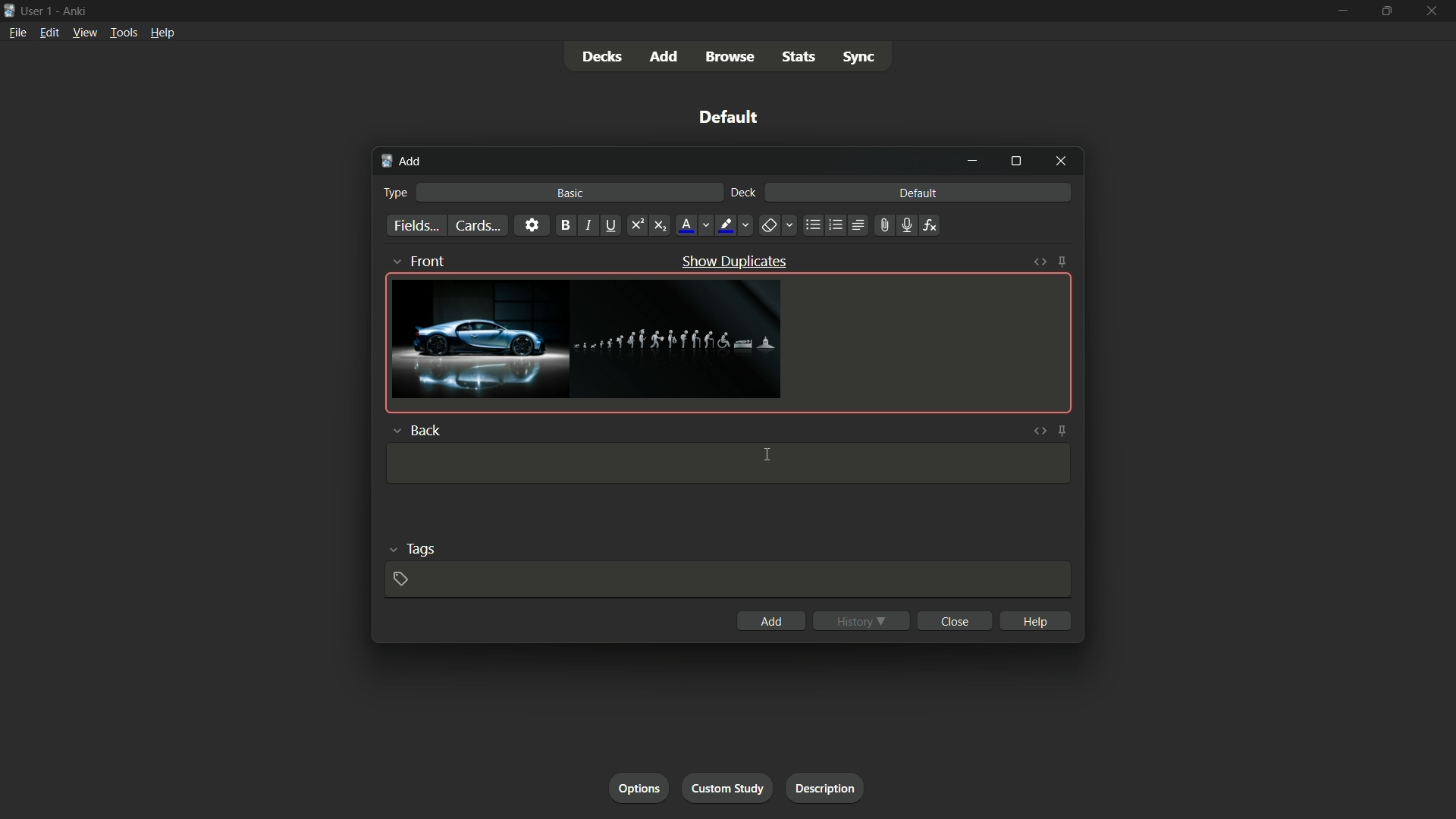 This screenshot has height=819, width=1456. What do you see at coordinates (1037, 620) in the screenshot?
I see `help` at bounding box center [1037, 620].